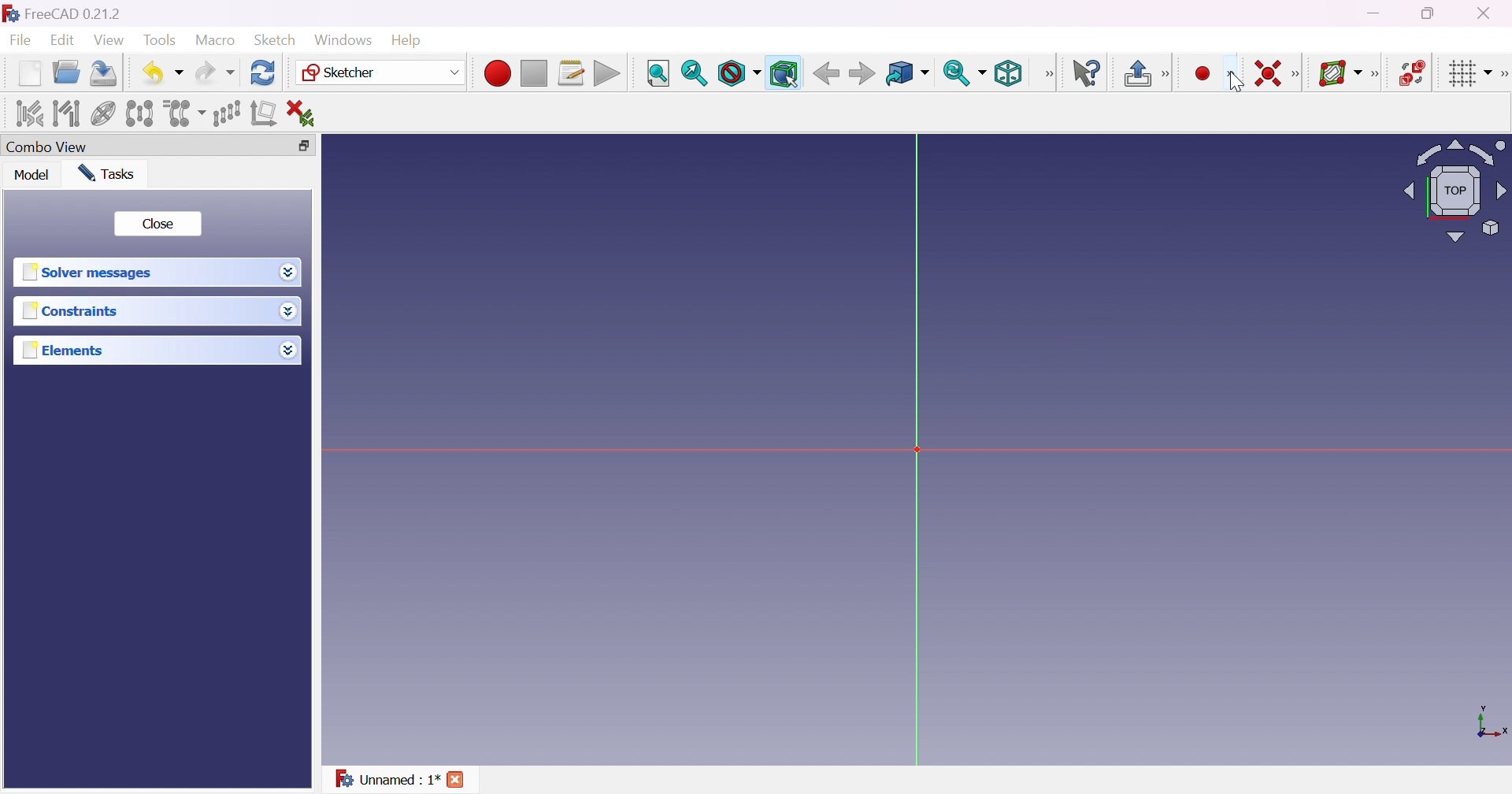  Describe the element at coordinates (1503, 72) in the screenshot. I see `[Sketcher edit tools]` at that location.